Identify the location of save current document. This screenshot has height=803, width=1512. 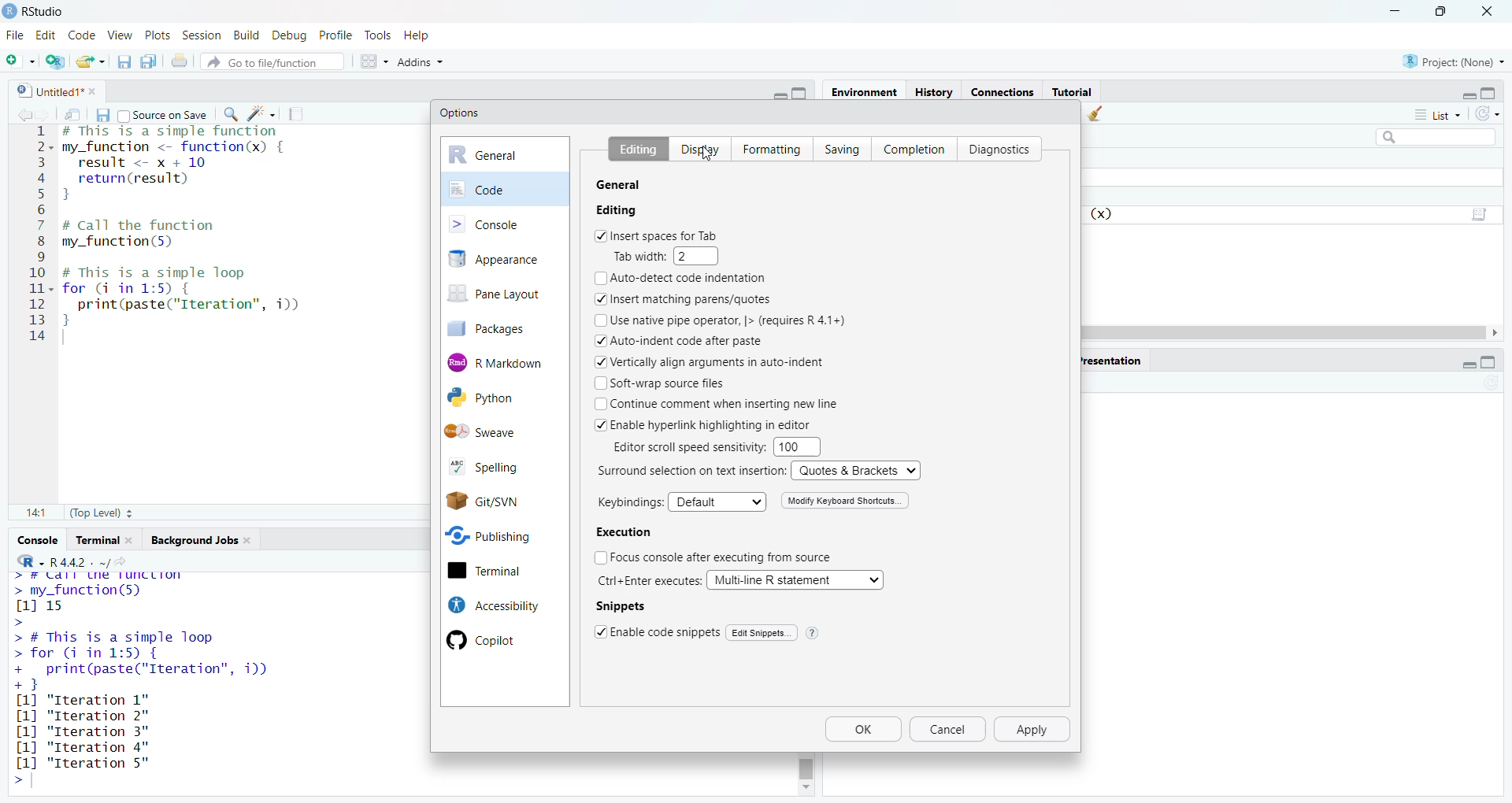
(102, 113).